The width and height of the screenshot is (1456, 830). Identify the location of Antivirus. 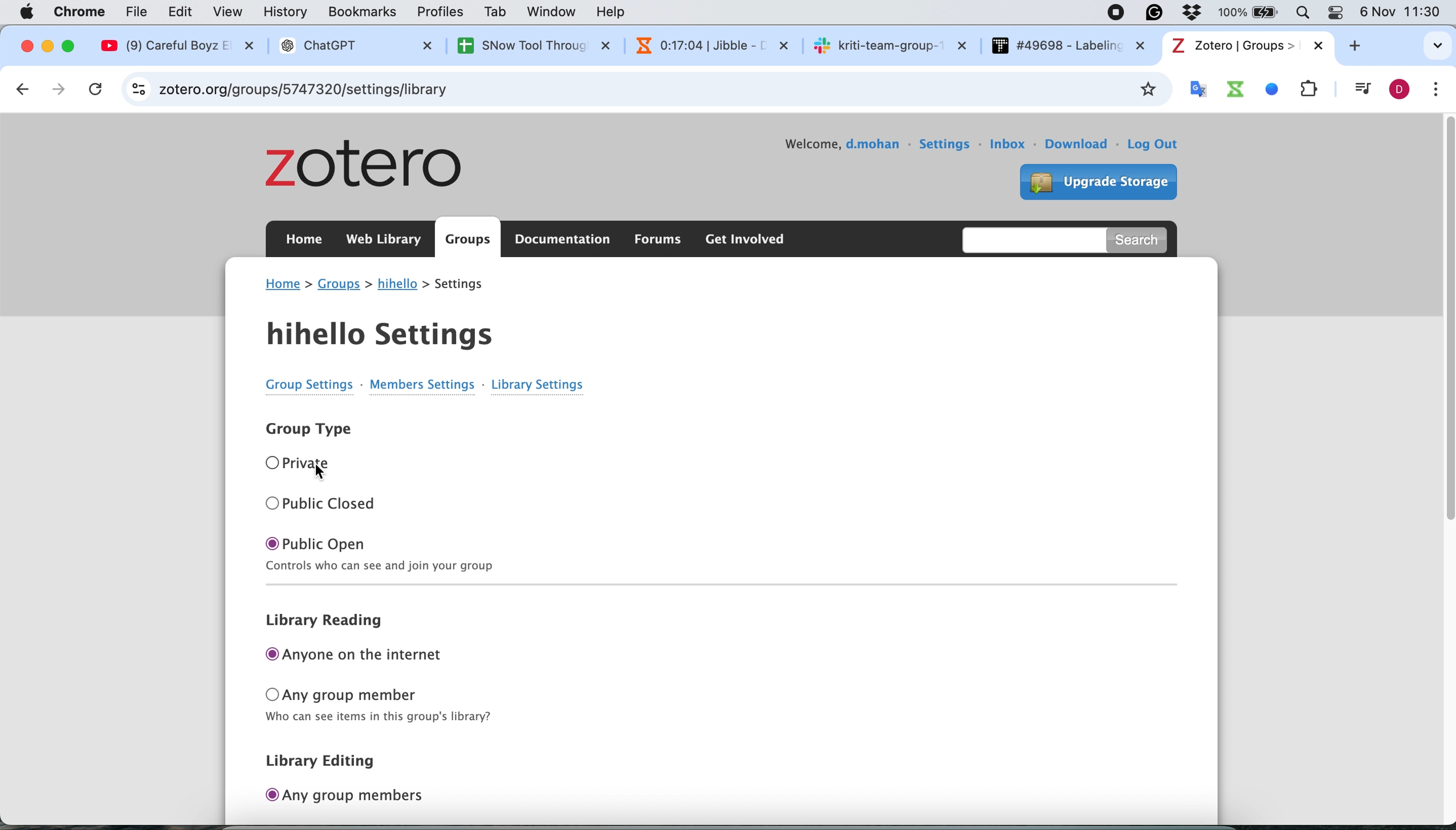
(1197, 11).